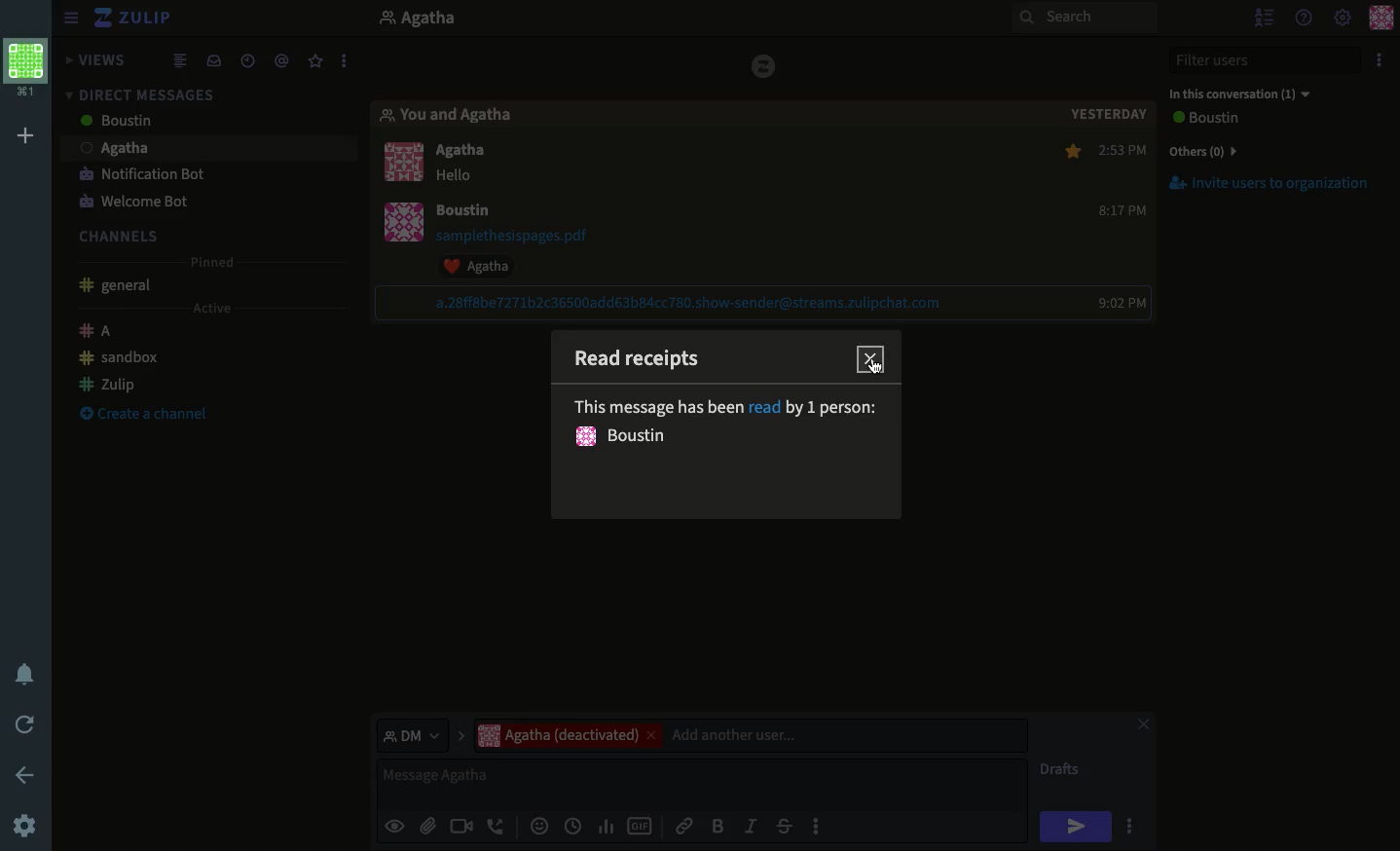 This screenshot has height=851, width=1400. Describe the element at coordinates (458, 176) in the screenshot. I see `message` at that location.